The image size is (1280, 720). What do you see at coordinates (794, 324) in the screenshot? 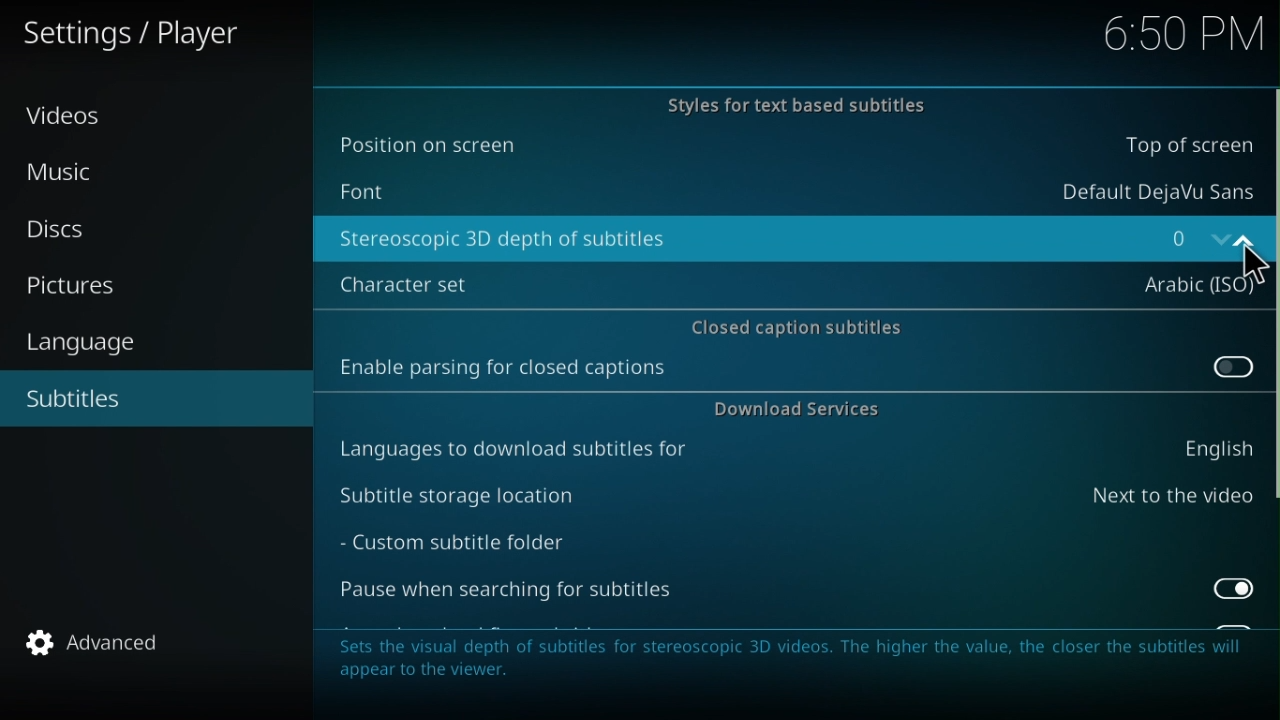
I see `Closed caption subtitles` at bounding box center [794, 324].